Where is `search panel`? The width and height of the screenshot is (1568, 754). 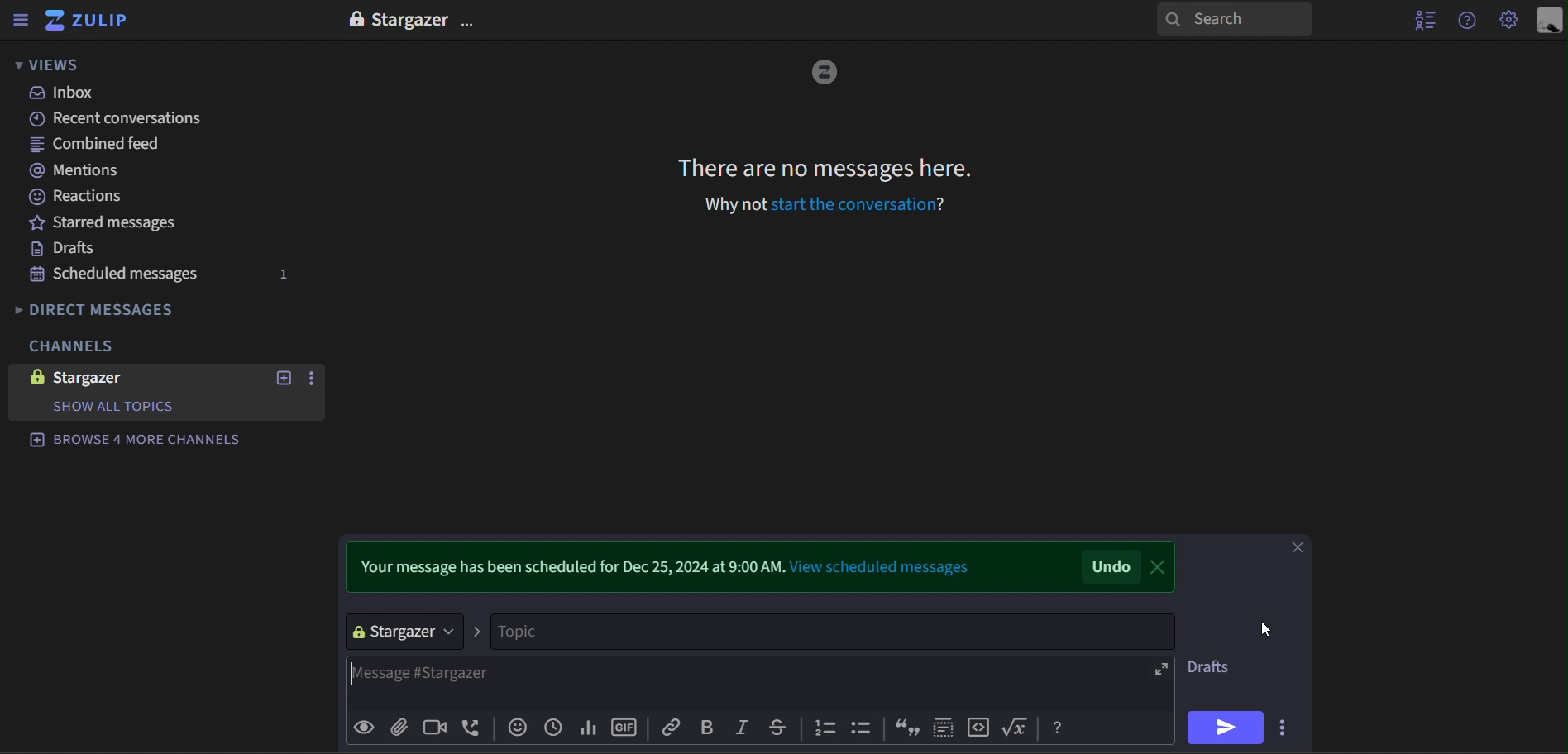
search panel is located at coordinates (1235, 21).